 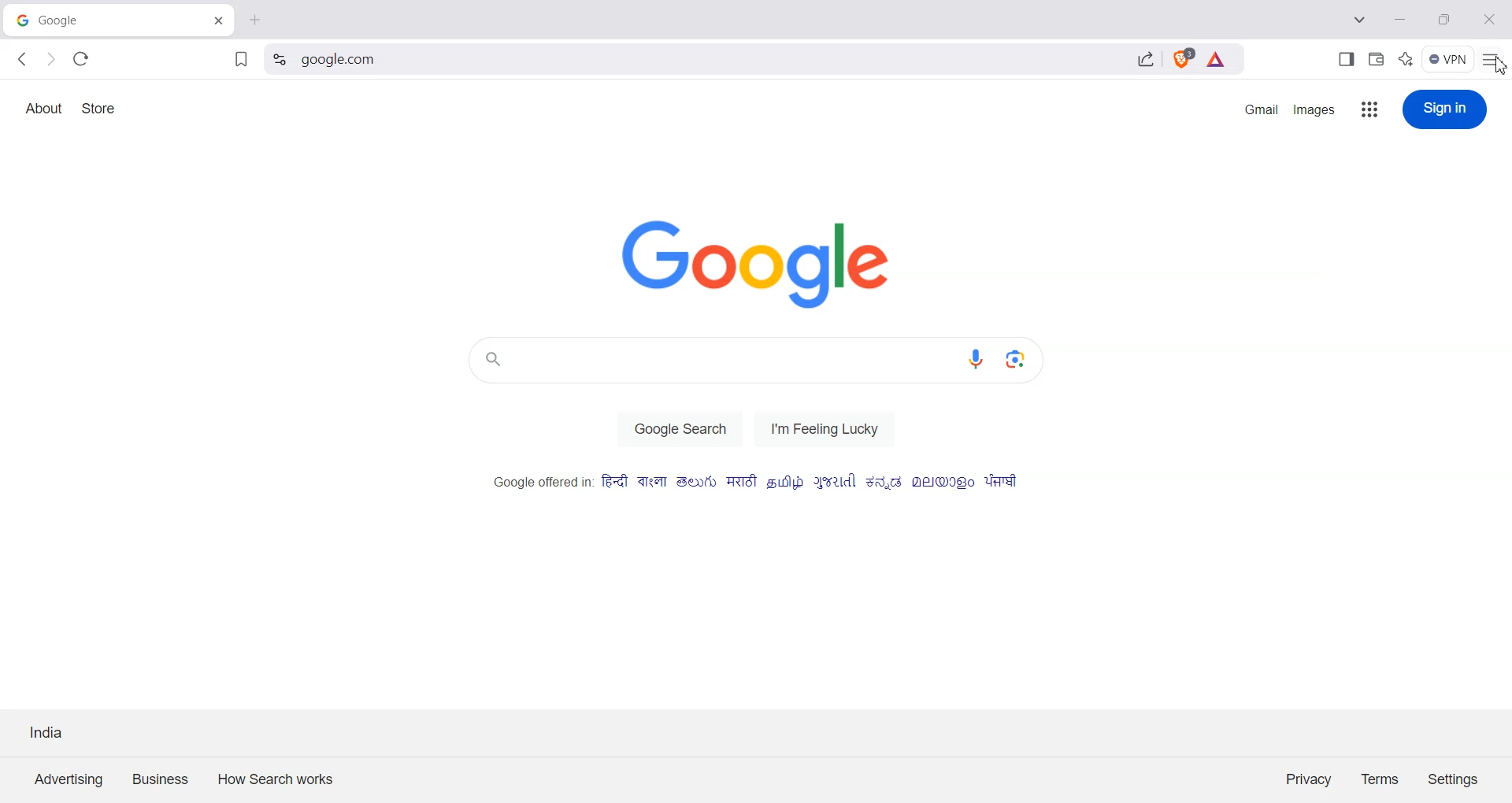 I want to click on Brave Reward, so click(x=1217, y=61).